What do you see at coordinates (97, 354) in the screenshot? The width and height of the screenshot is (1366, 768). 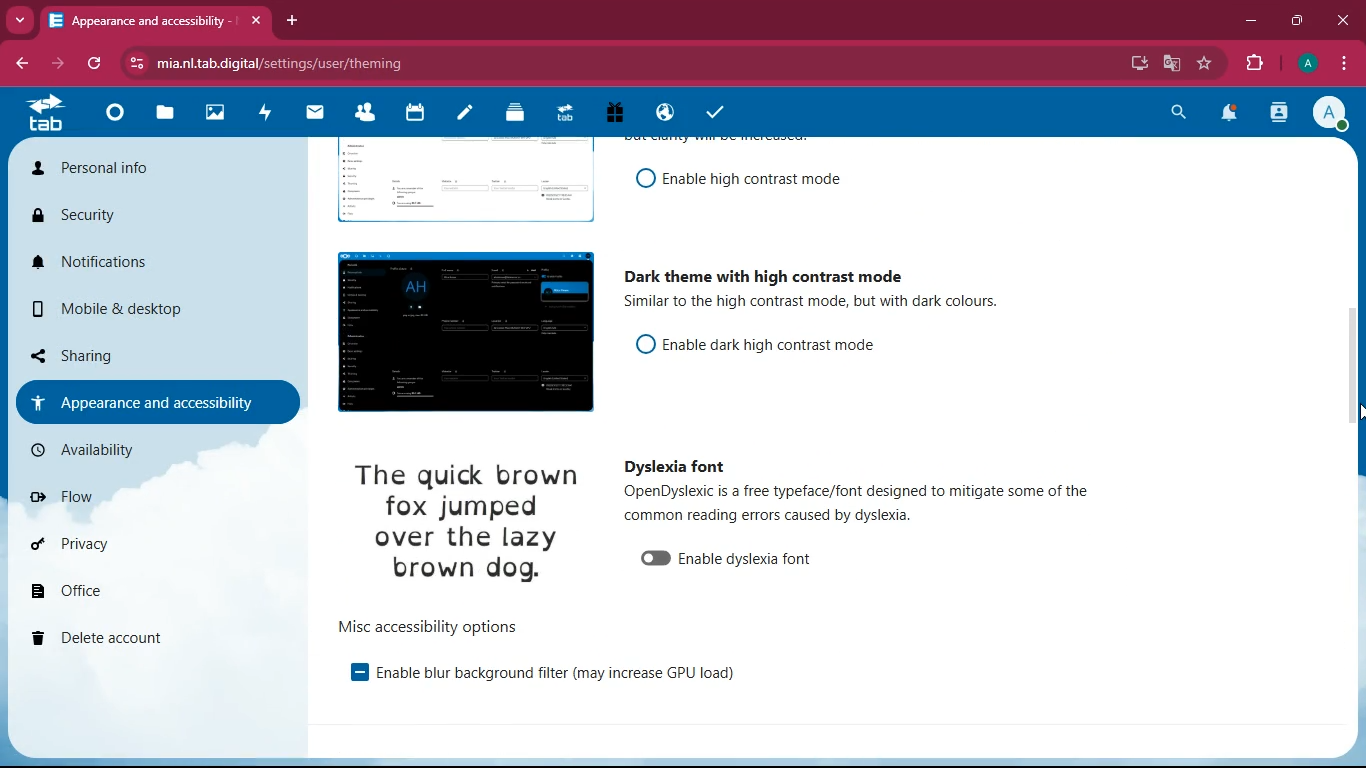 I see `sharing` at bounding box center [97, 354].